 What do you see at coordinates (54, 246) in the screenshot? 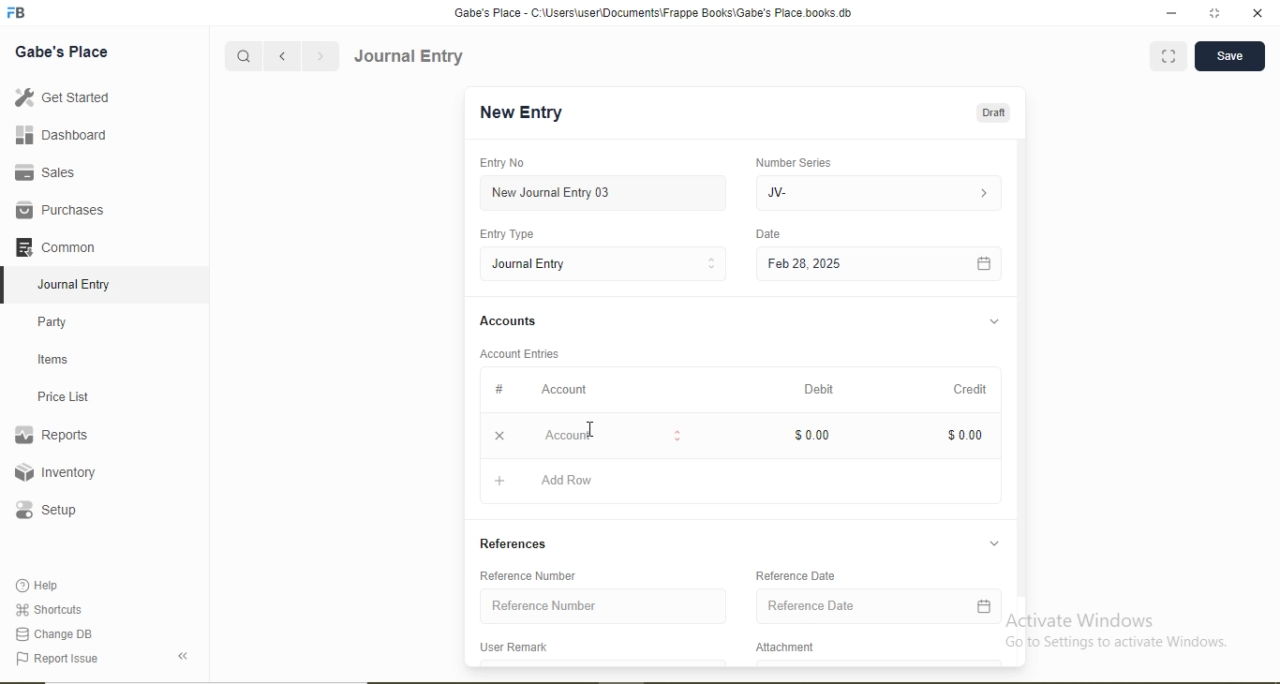
I see `Common` at bounding box center [54, 246].